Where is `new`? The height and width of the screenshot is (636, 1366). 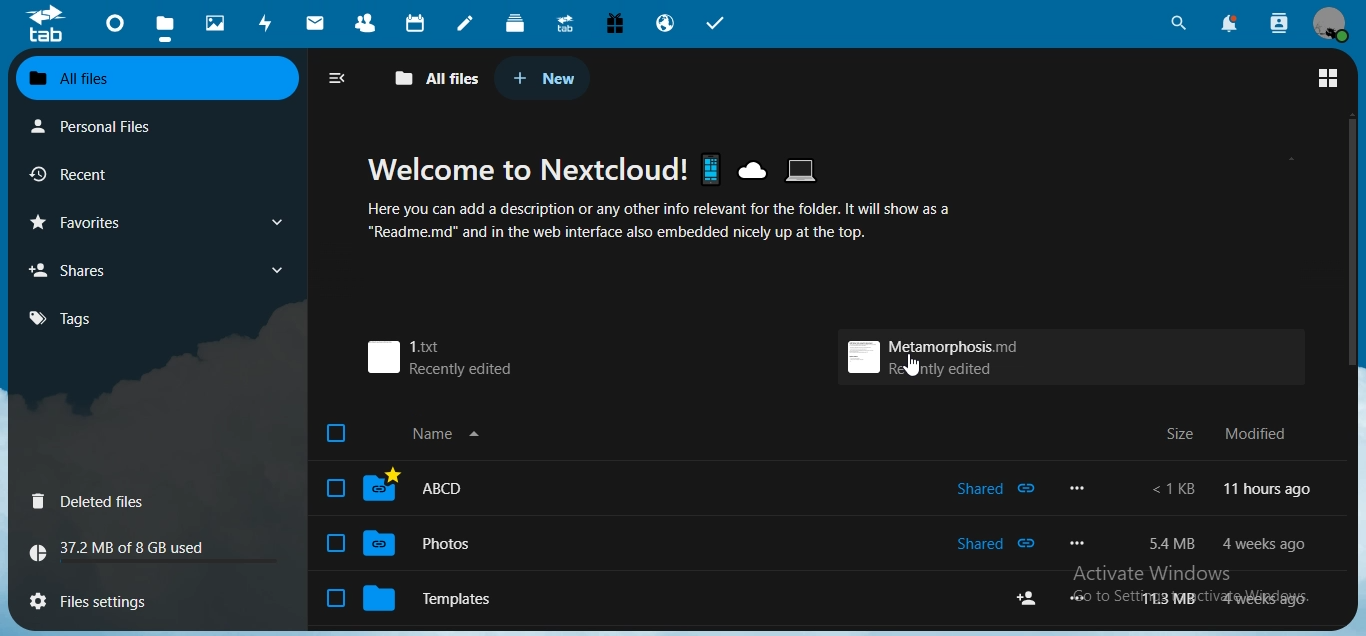 new is located at coordinates (549, 77).